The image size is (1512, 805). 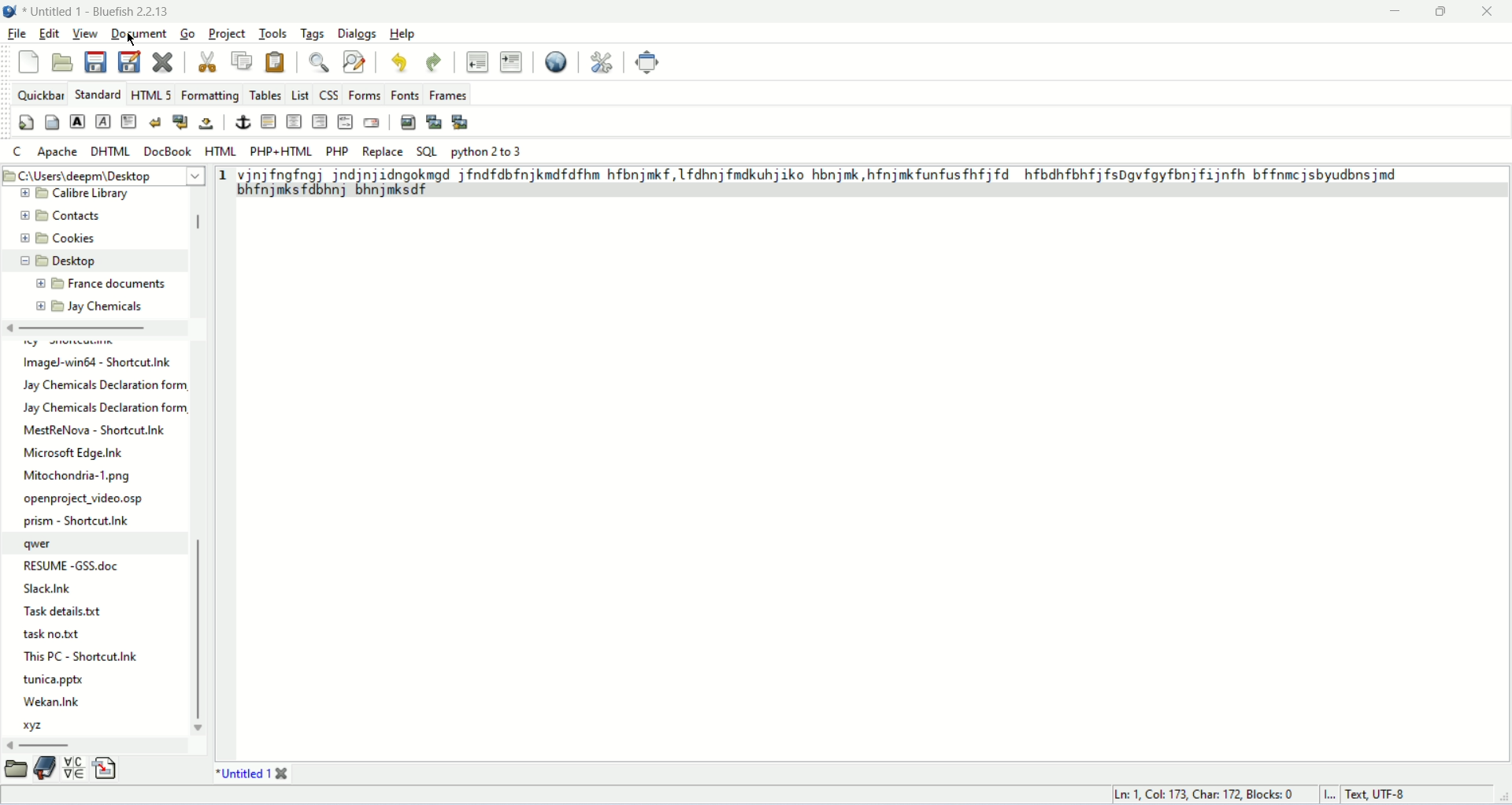 What do you see at coordinates (80, 477) in the screenshot?
I see `Mitochondria-1.png` at bounding box center [80, 477].